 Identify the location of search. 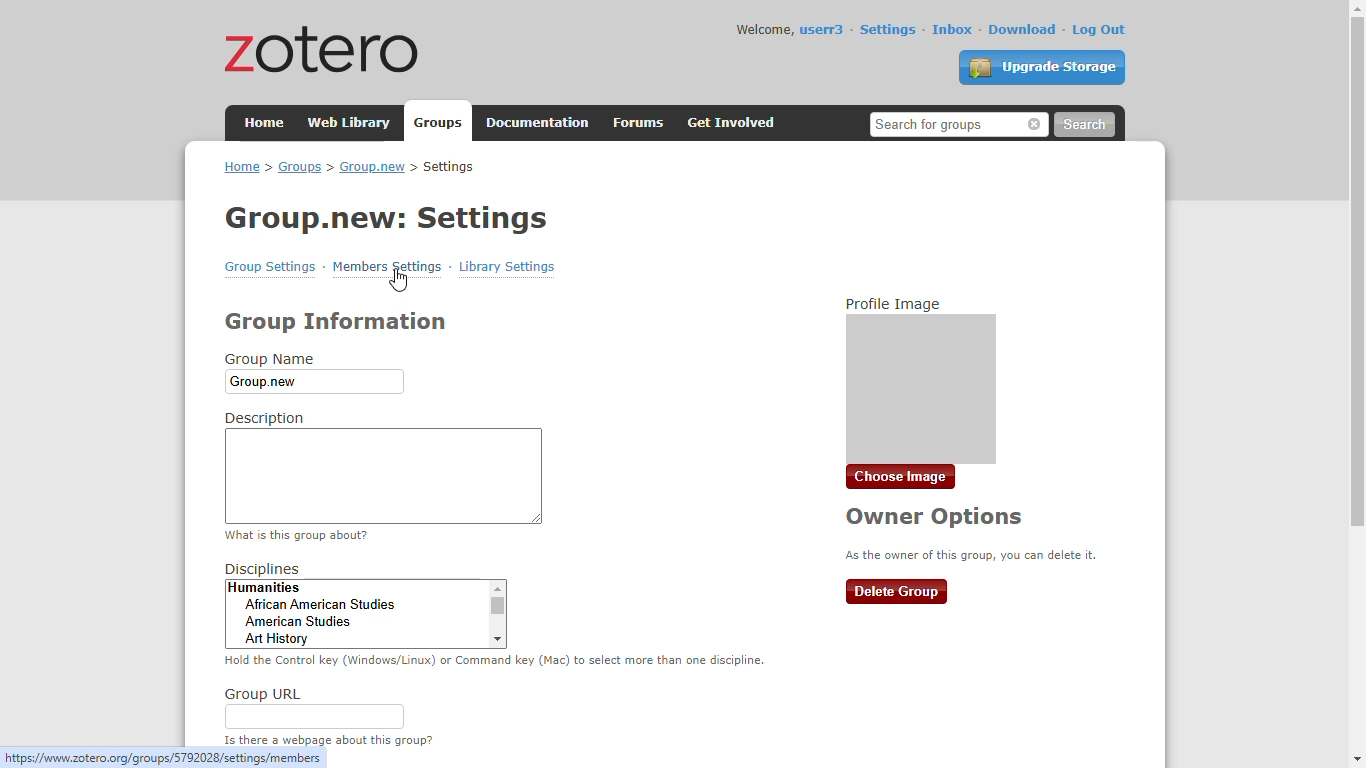
(1084, 125).